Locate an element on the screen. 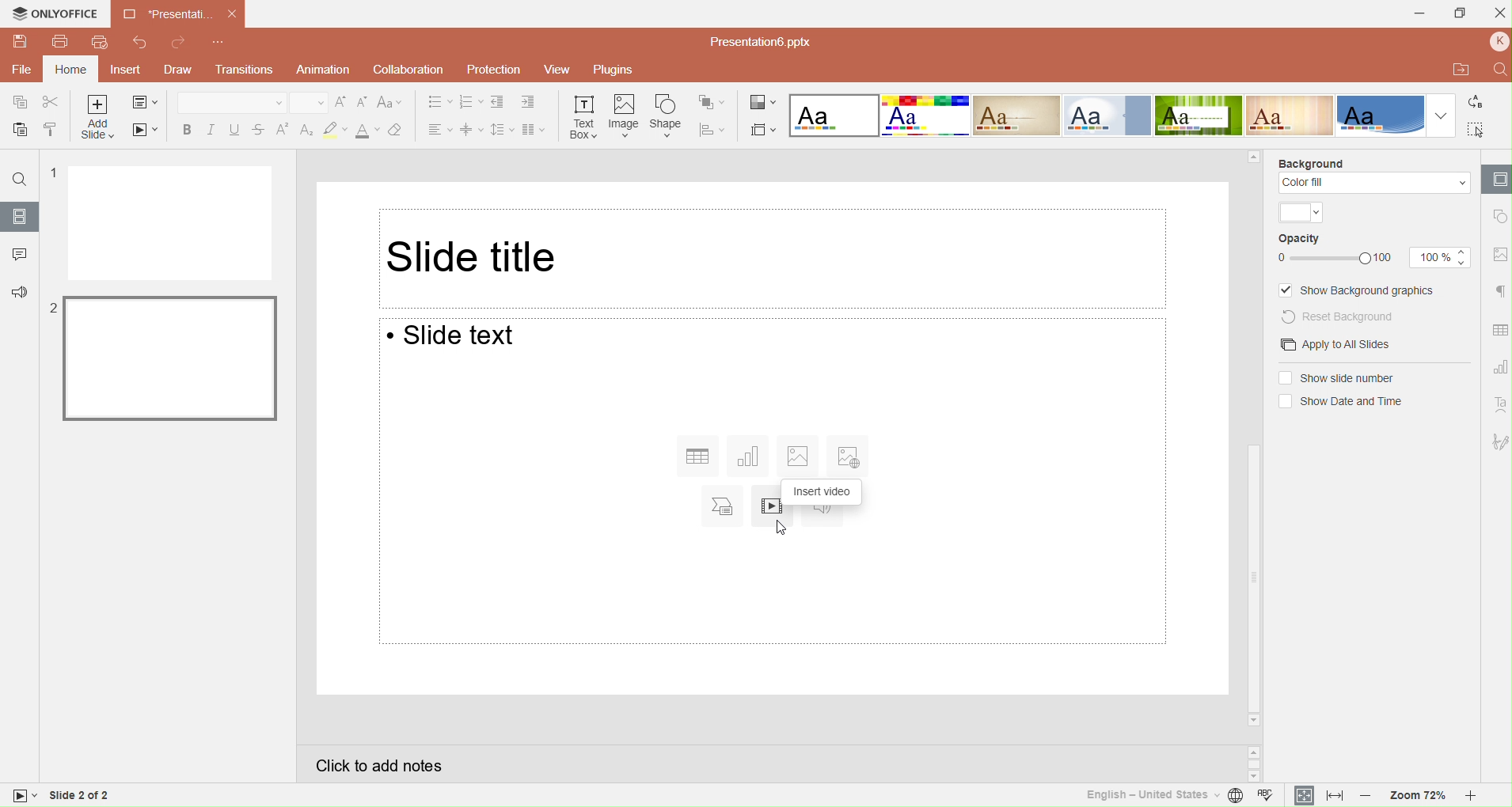 The width and height of the screenshot is (1512, 807). Superscript is located at coordinates (283, 127).